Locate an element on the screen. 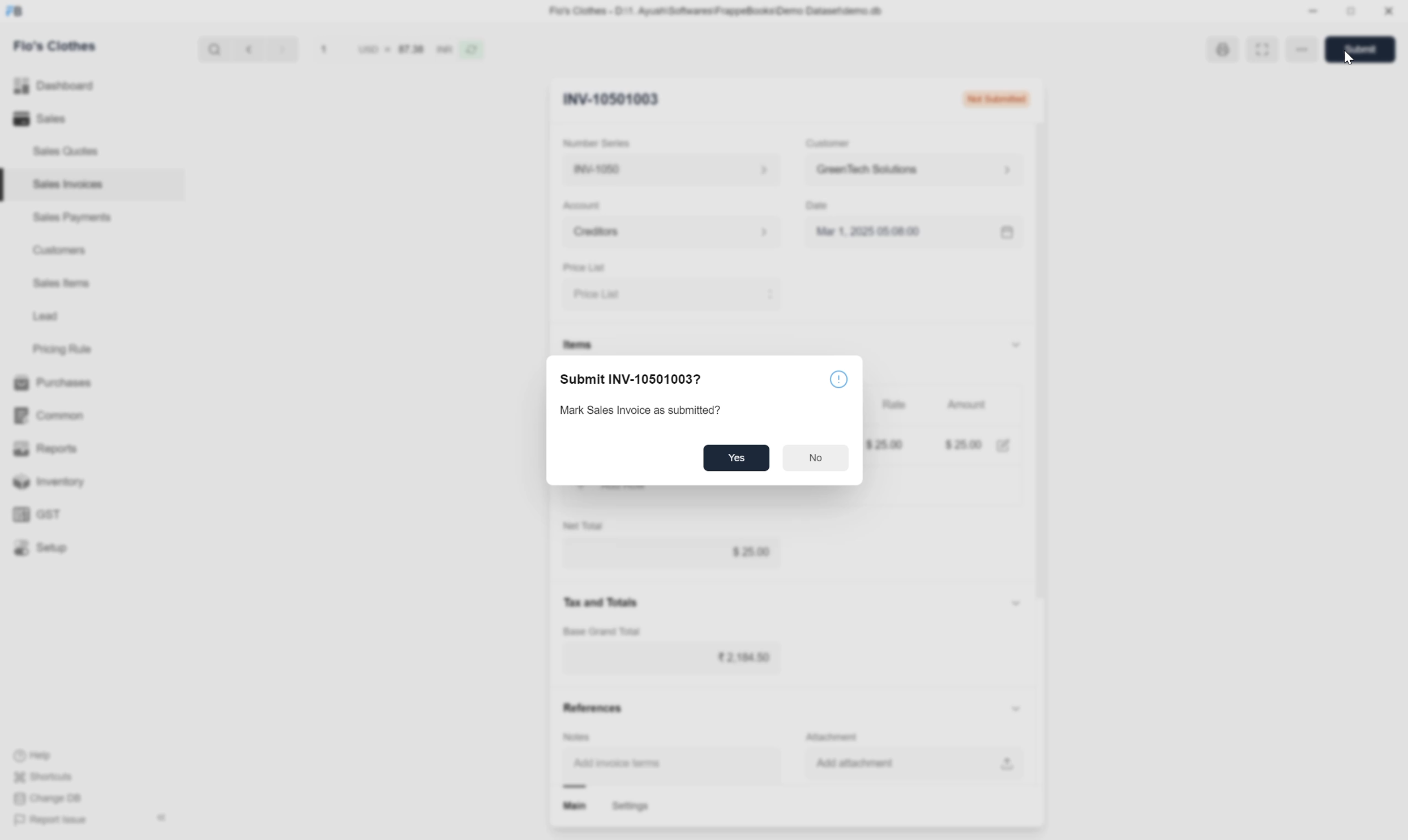 The height and width of the screenshot is (840, 1408). No is located at coordinates (811, 459).